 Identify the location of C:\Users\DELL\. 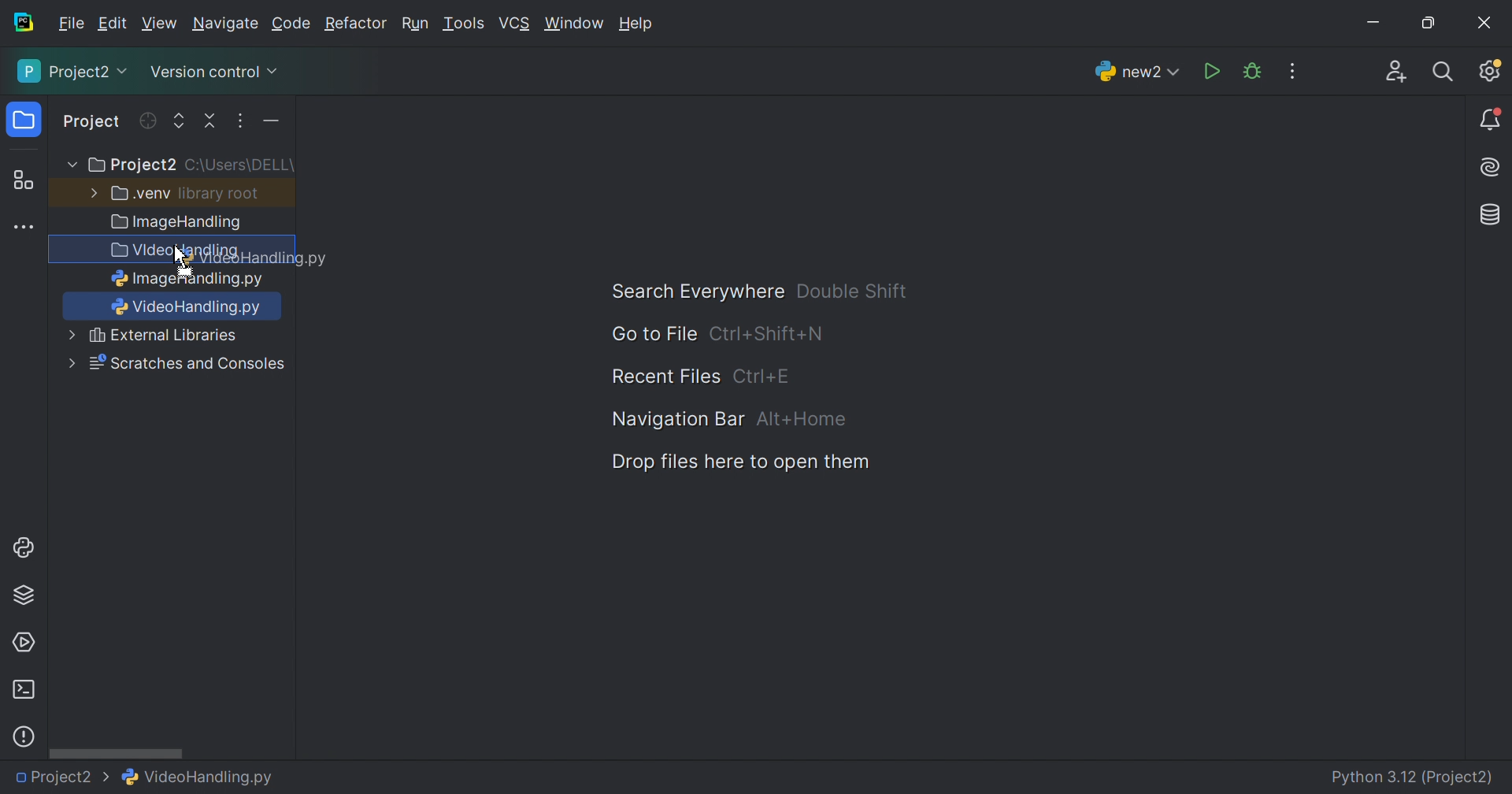
(239, 165).